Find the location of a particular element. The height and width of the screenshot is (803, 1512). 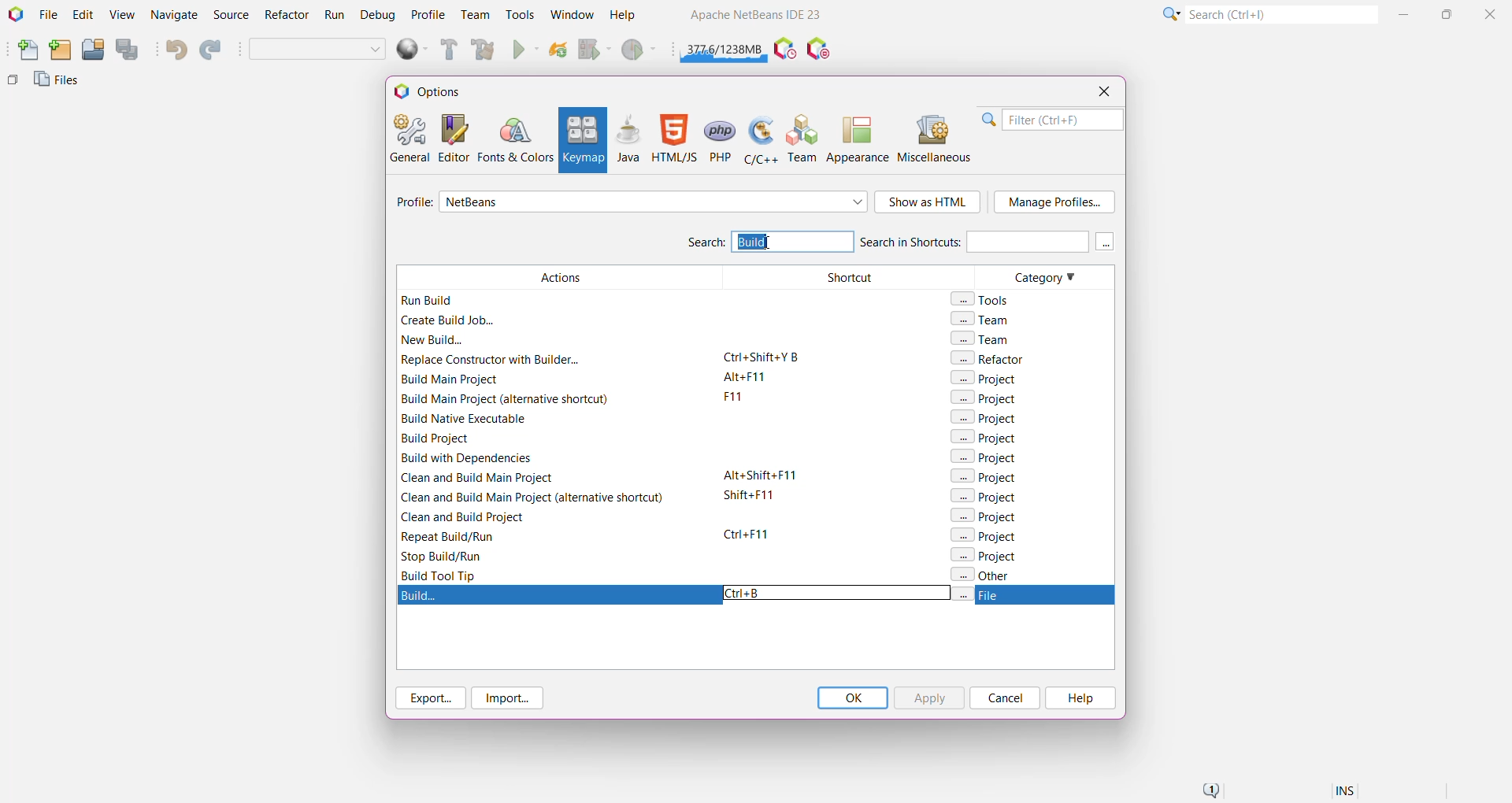

View is located at coordinates (121, 16).